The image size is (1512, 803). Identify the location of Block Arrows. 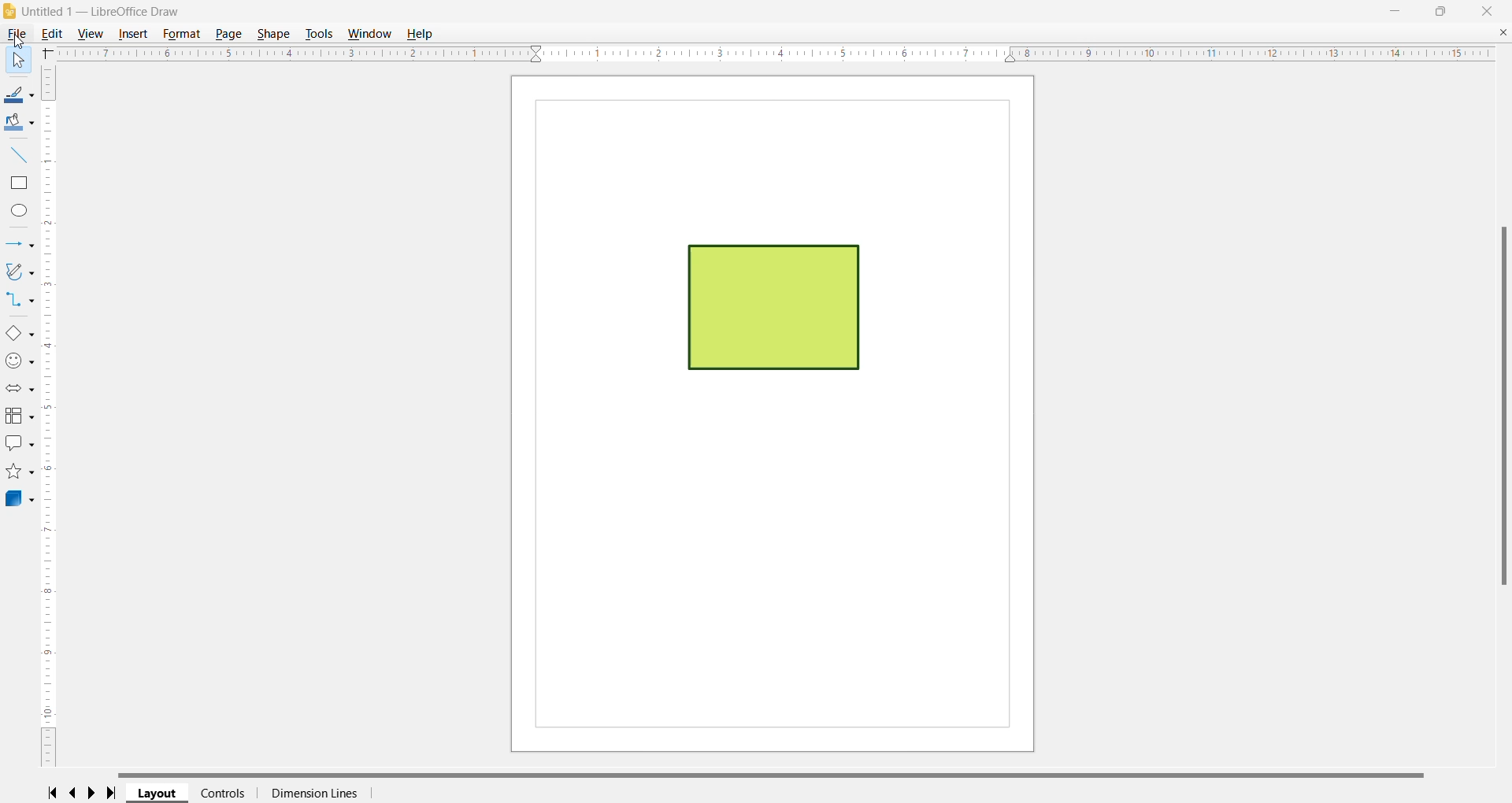
(18, 390).